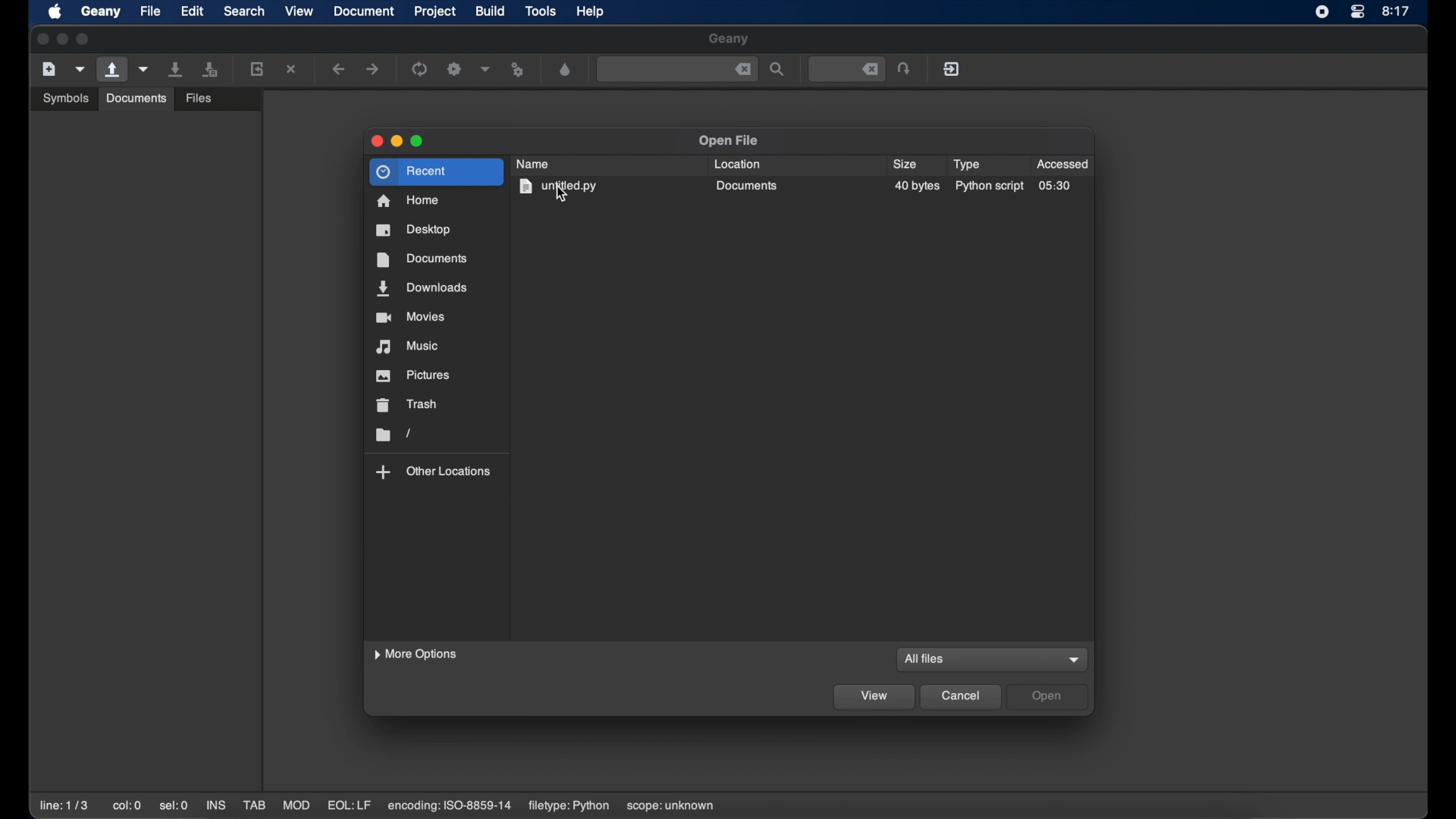 This screenshot has height=819, width=1456. Describe the element at coordinates (85, 39) in the screenshot. I see `maximize` at that location.